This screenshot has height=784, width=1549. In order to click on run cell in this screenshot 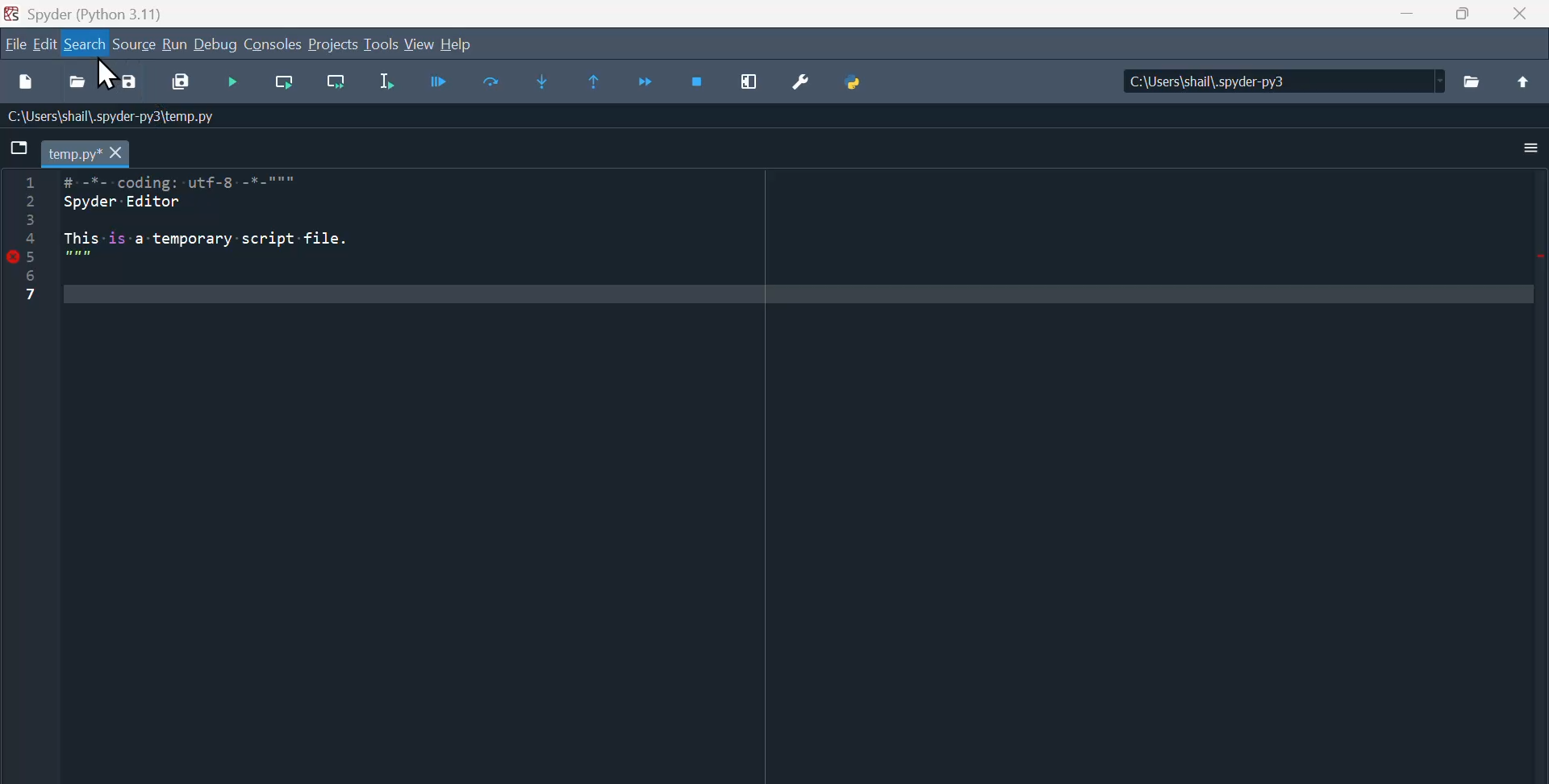, I will do `click(490, 85)`.